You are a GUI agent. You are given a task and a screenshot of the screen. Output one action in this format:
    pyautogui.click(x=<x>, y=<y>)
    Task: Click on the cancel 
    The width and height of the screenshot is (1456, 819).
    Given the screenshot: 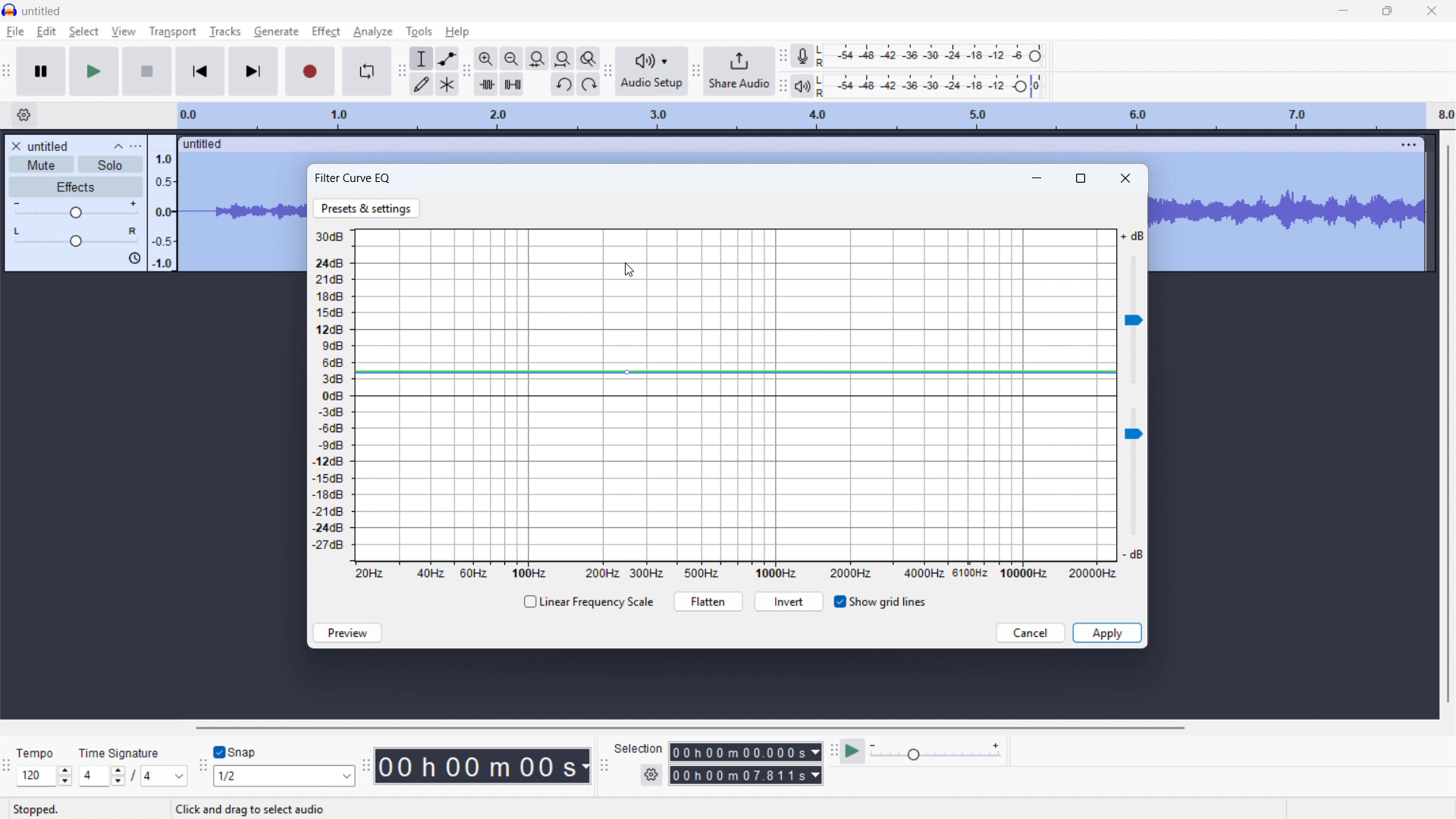 What is the action you would take?
    pyautogui.click(x=1032, y=633)
    